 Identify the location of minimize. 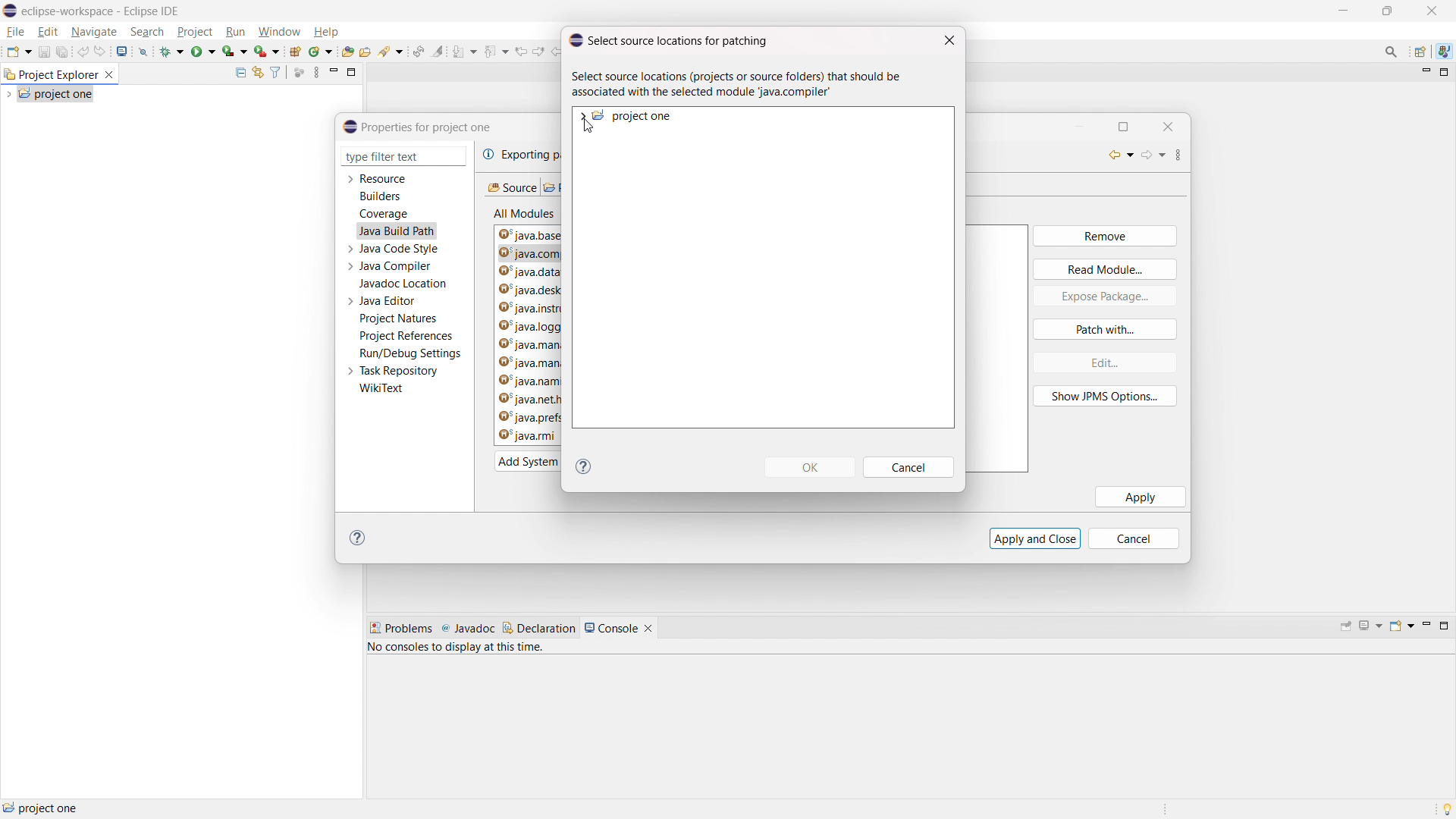
(1424, 73).